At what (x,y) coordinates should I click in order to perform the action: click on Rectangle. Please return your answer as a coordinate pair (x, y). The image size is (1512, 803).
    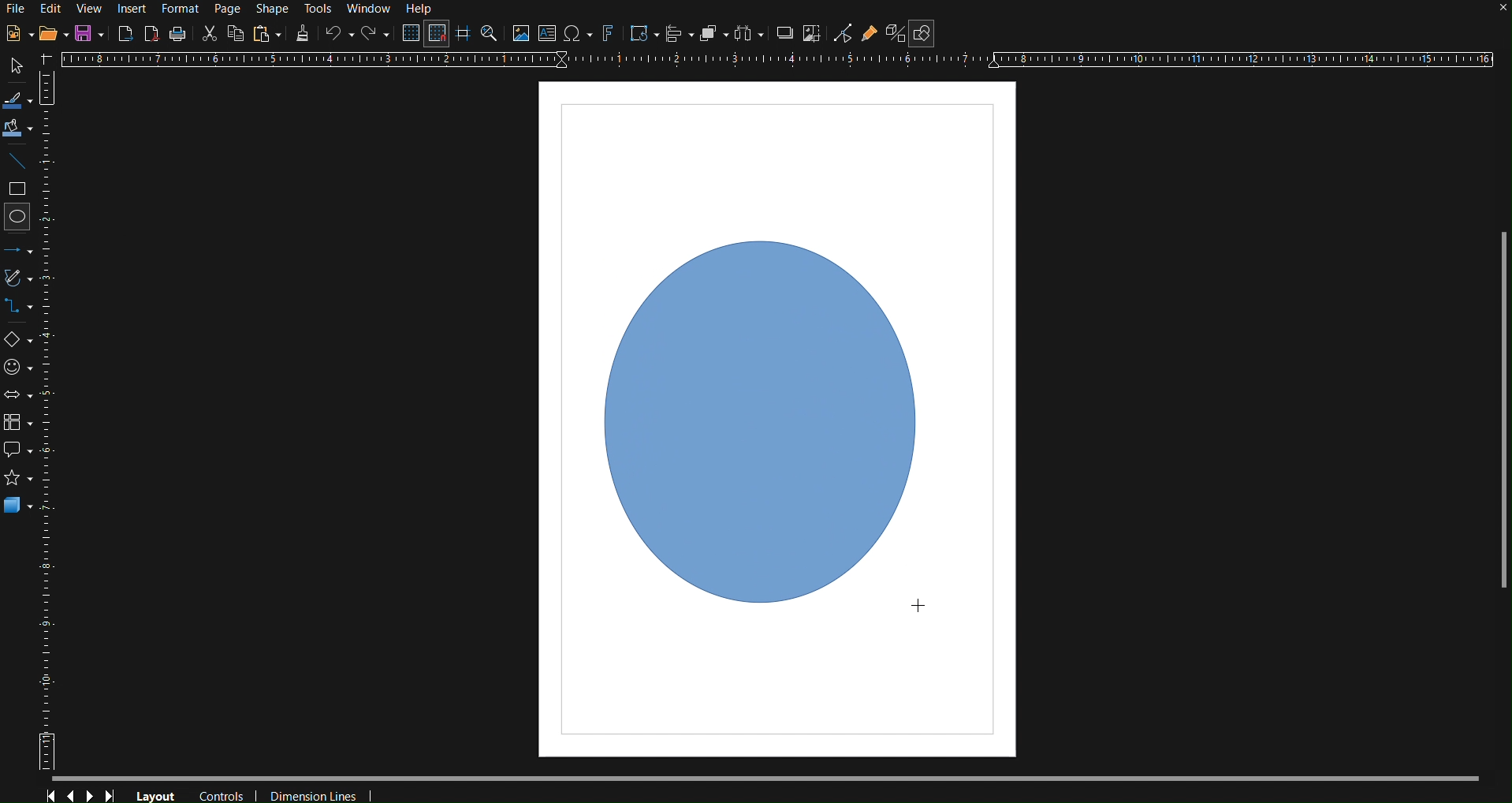
    Looking at the image, I should click on (20, 190).